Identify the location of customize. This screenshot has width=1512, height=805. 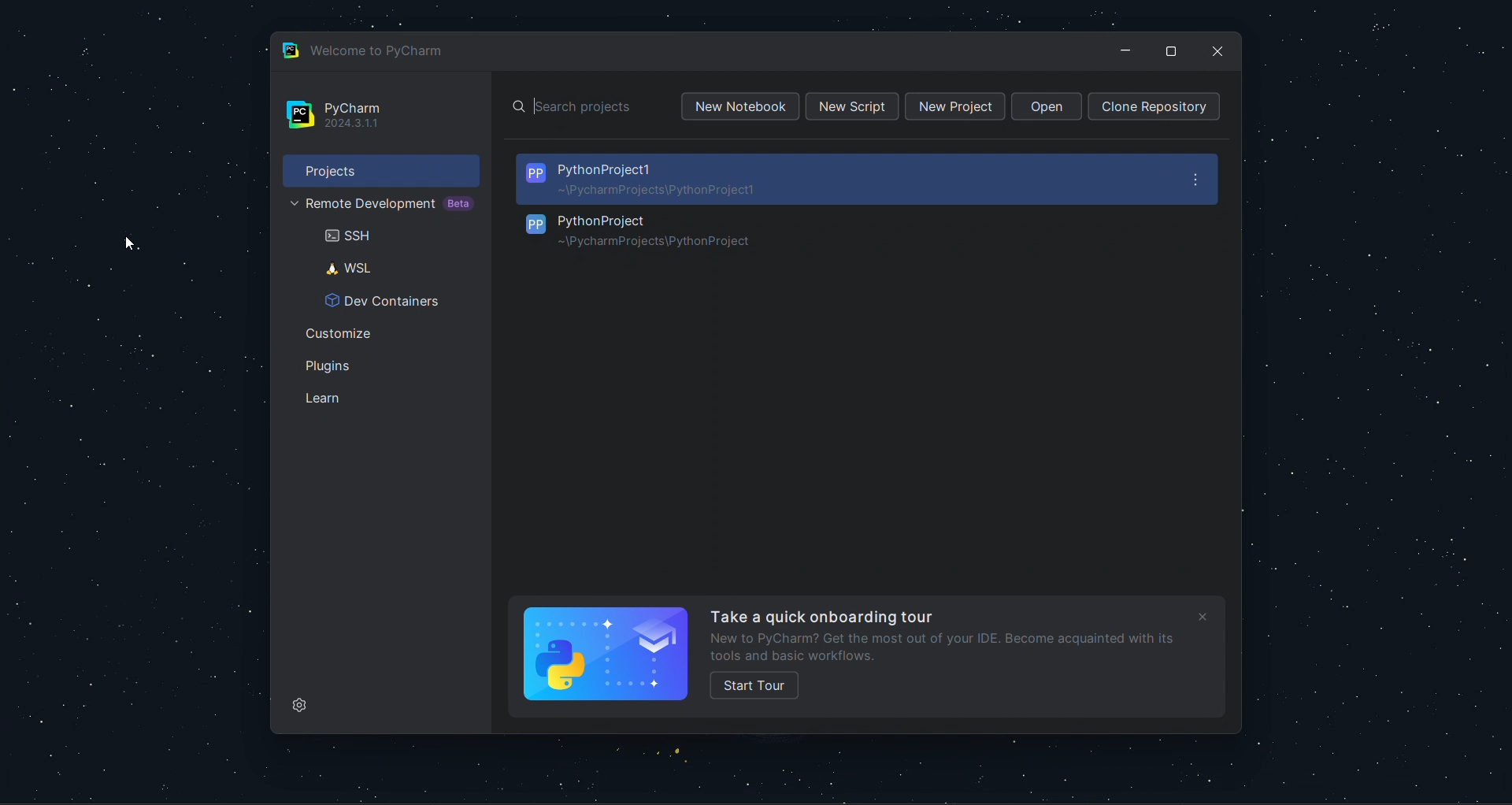
(377, 336).